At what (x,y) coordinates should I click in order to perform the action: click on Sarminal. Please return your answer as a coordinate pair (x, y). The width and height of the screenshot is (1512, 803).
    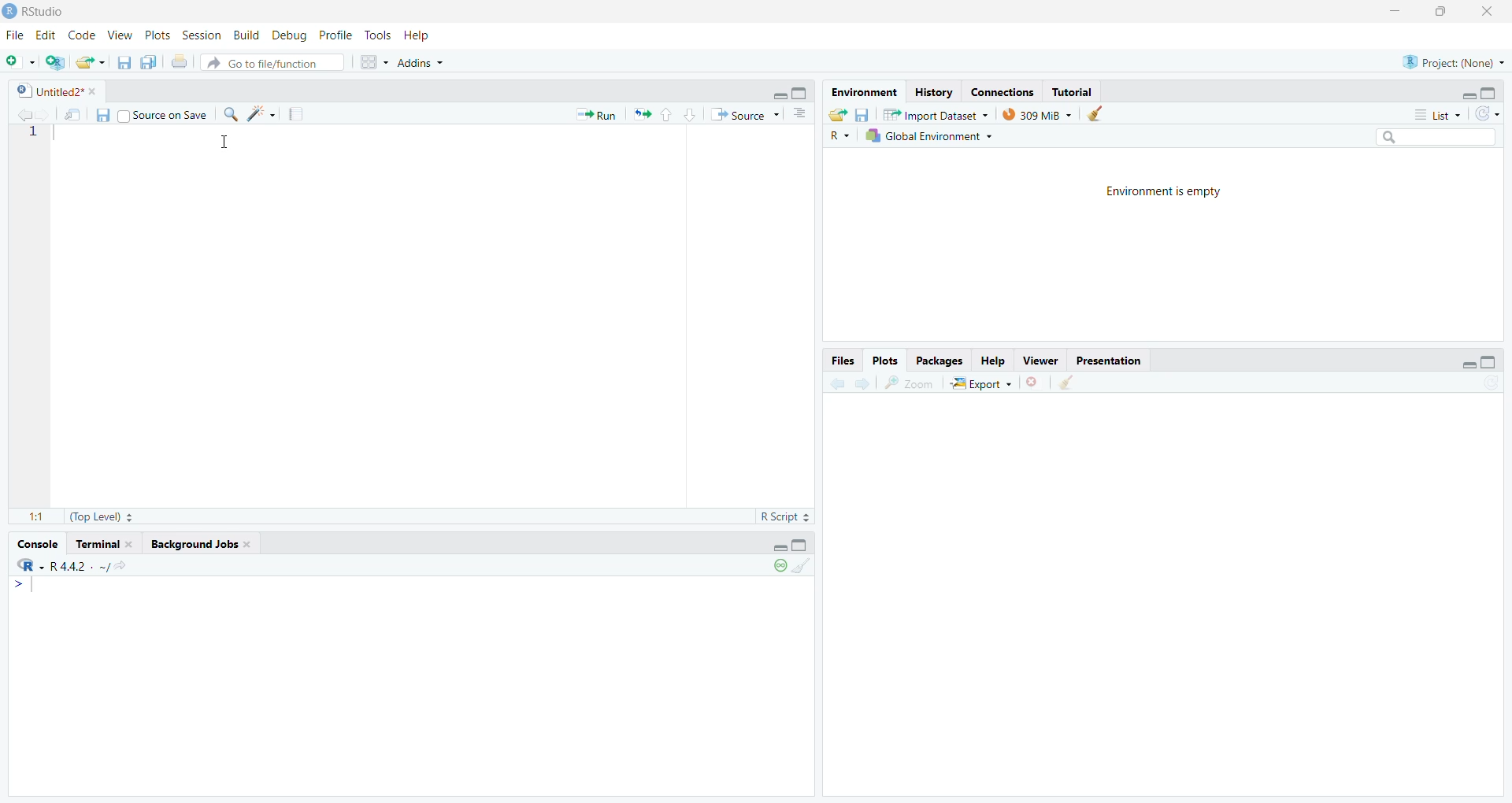
    Looking at the image, I should click on (104, 542).